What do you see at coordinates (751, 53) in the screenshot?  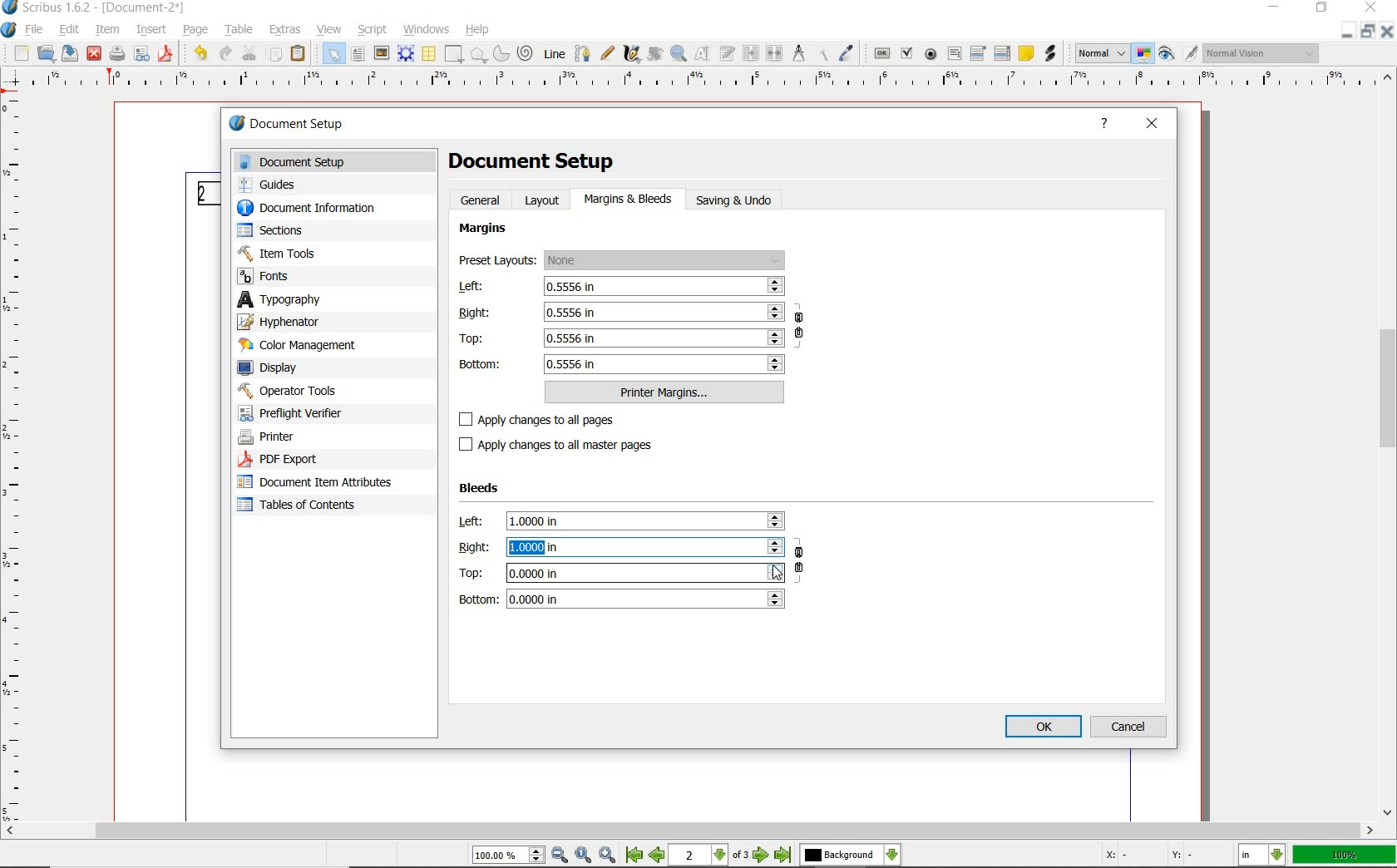 I see `link text frames` at bounding box center [751, 53].